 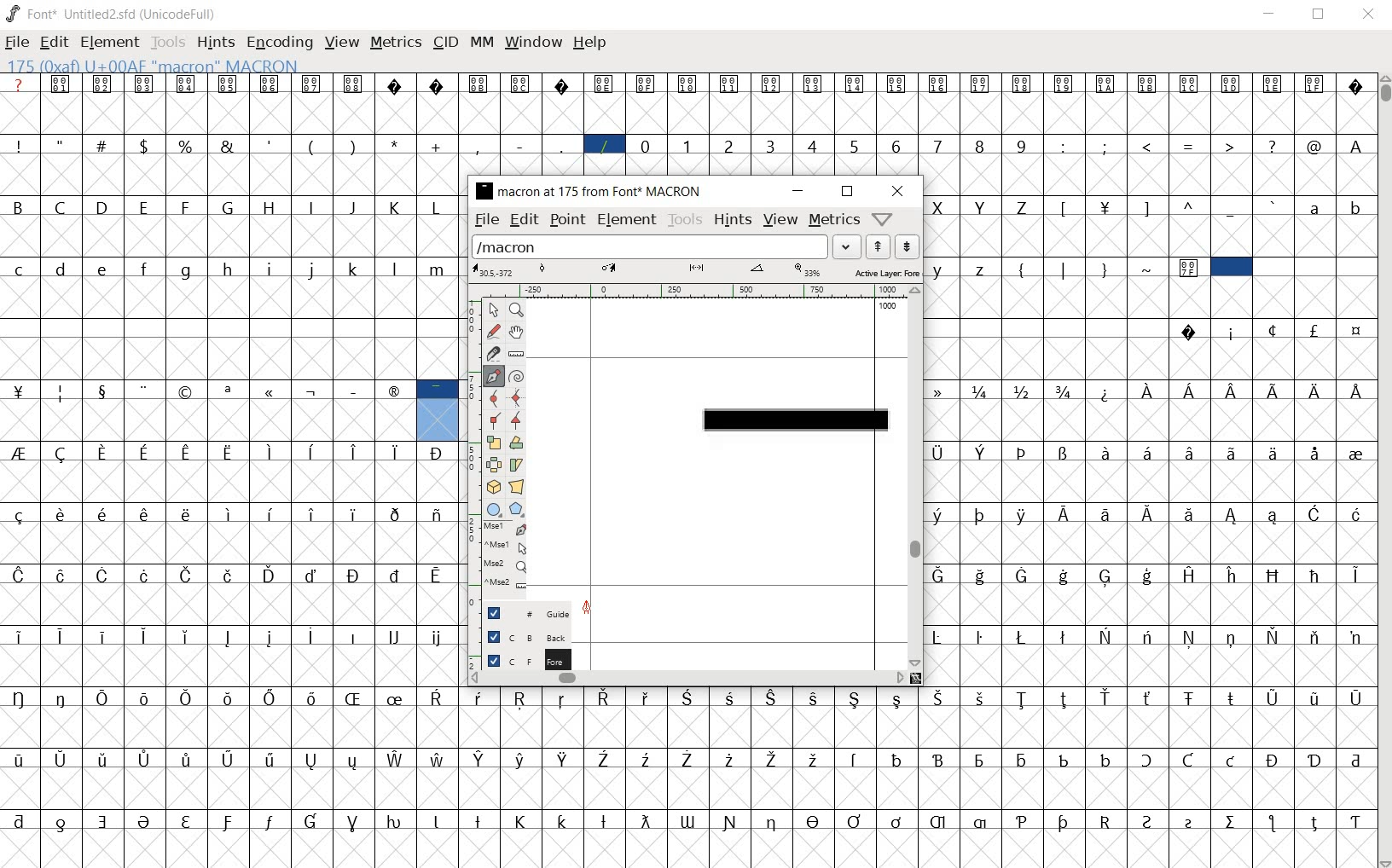 I want to click on Symbol, so click(x=107, y=514).